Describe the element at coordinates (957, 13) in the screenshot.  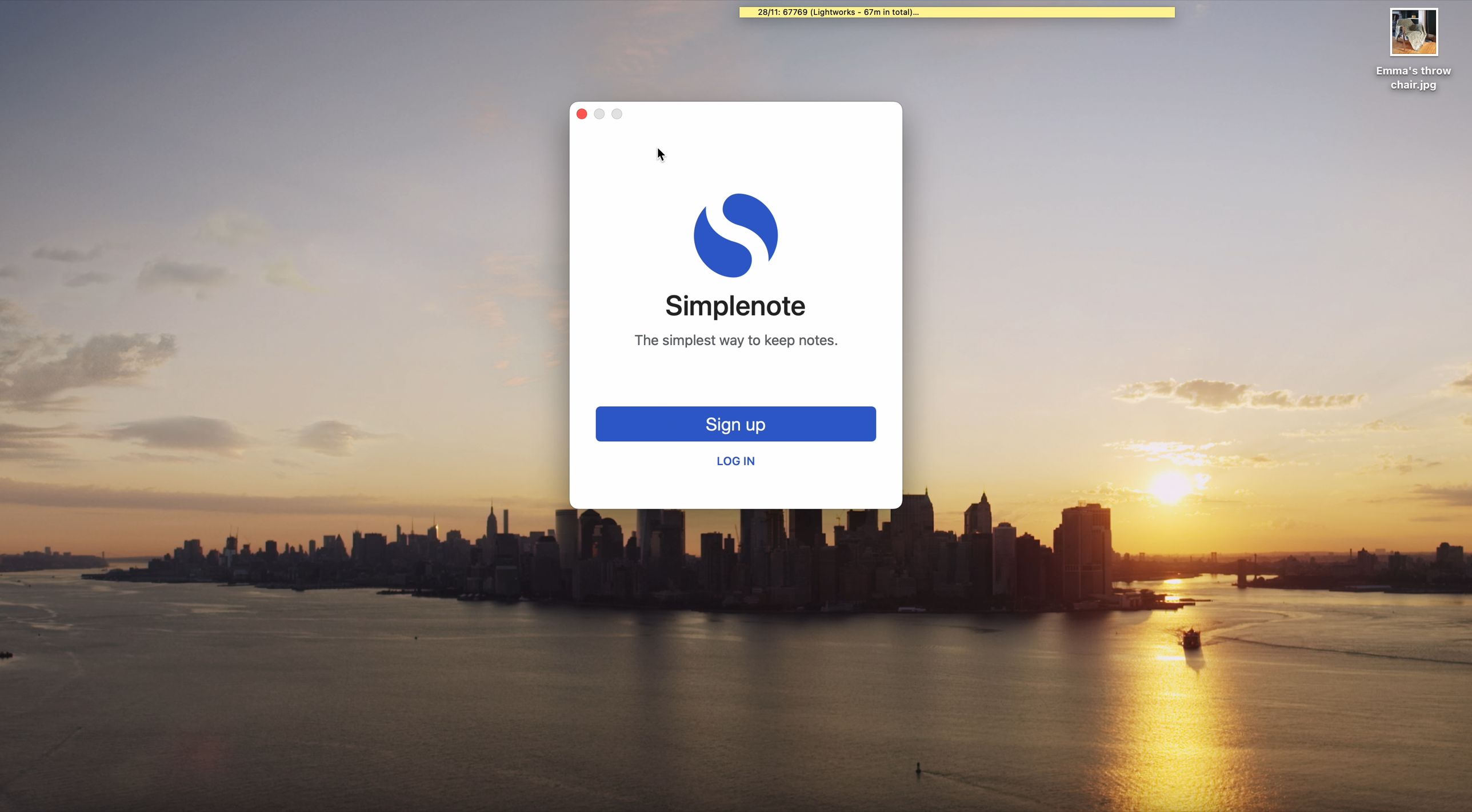
I see `stickie` at that location.